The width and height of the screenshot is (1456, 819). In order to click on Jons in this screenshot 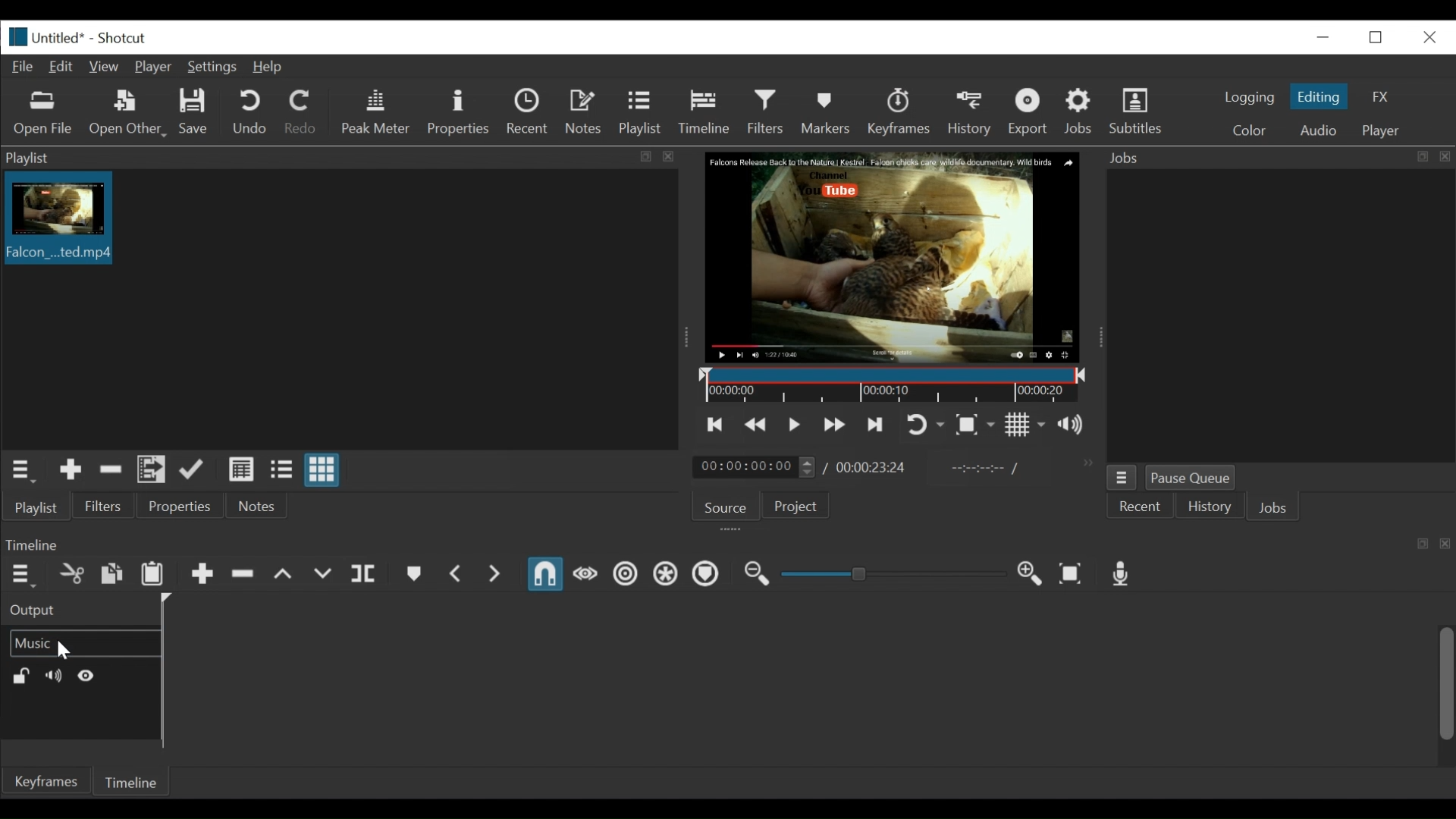, I will do `click(1275, 509)`.